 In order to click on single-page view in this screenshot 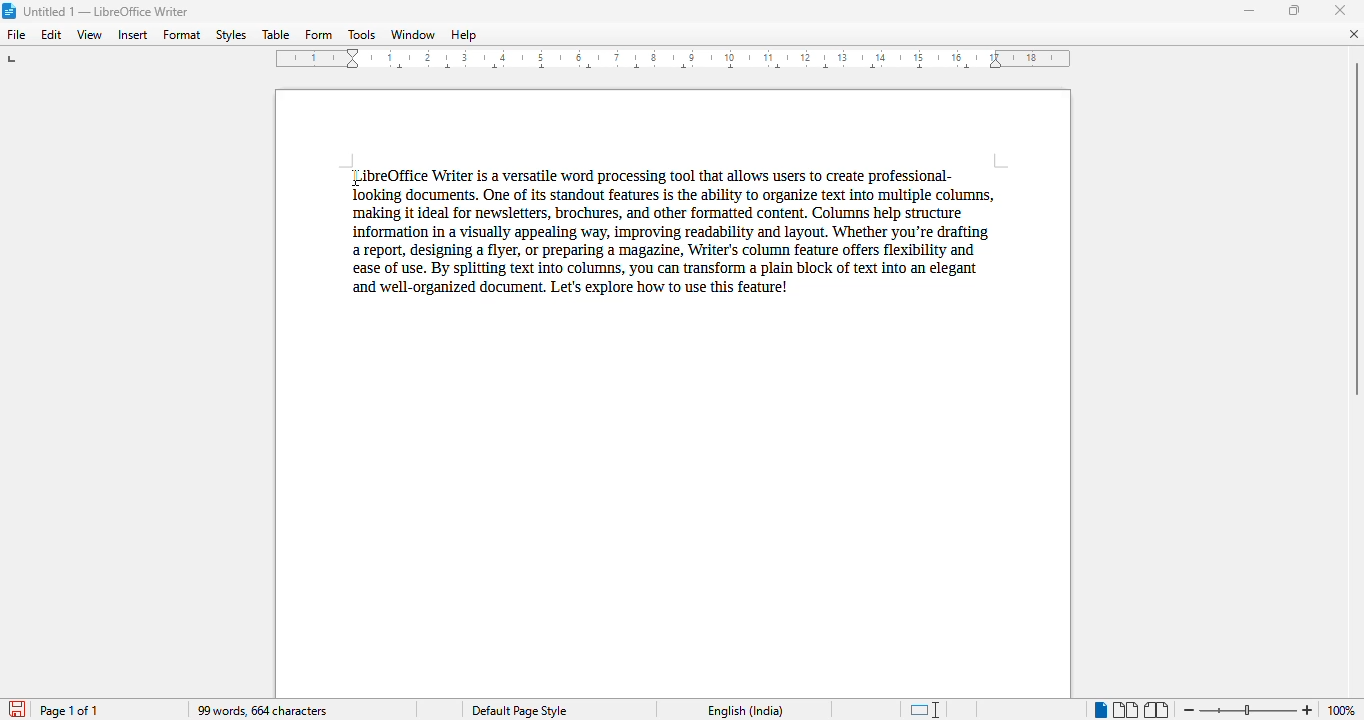, I will do `click(1100, 711)`.